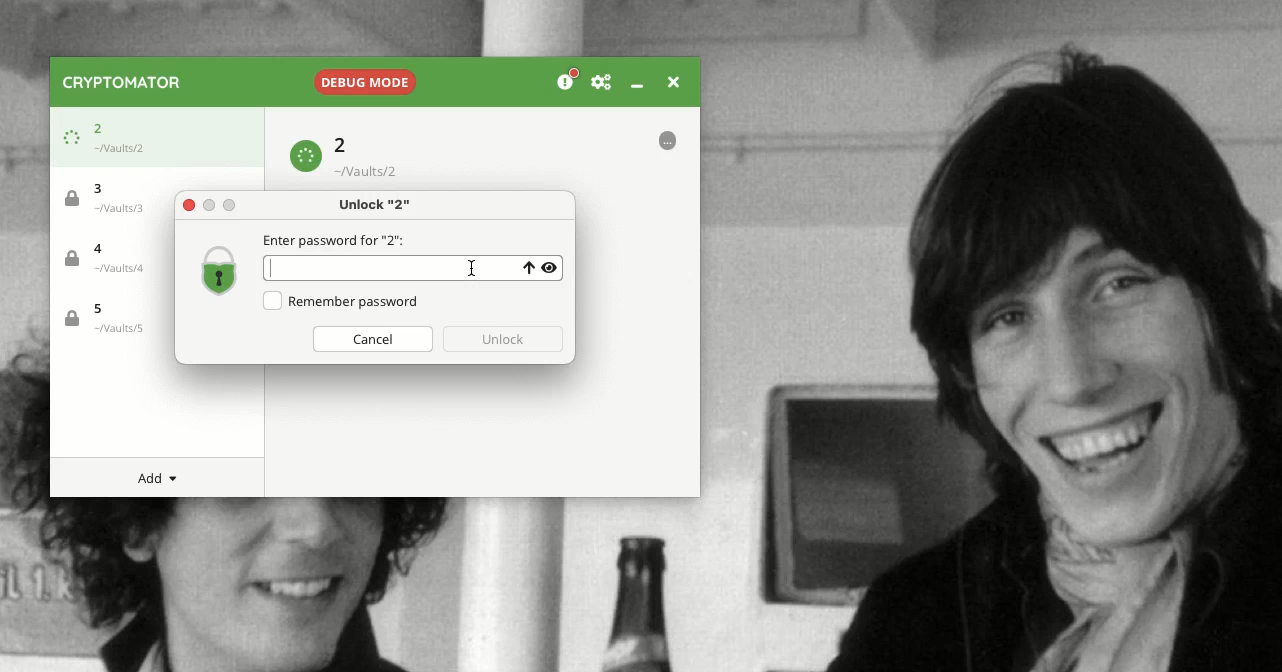  Describe the element at coordinates (272, 301) in the screenshot. I see `Checkbox` at that location.